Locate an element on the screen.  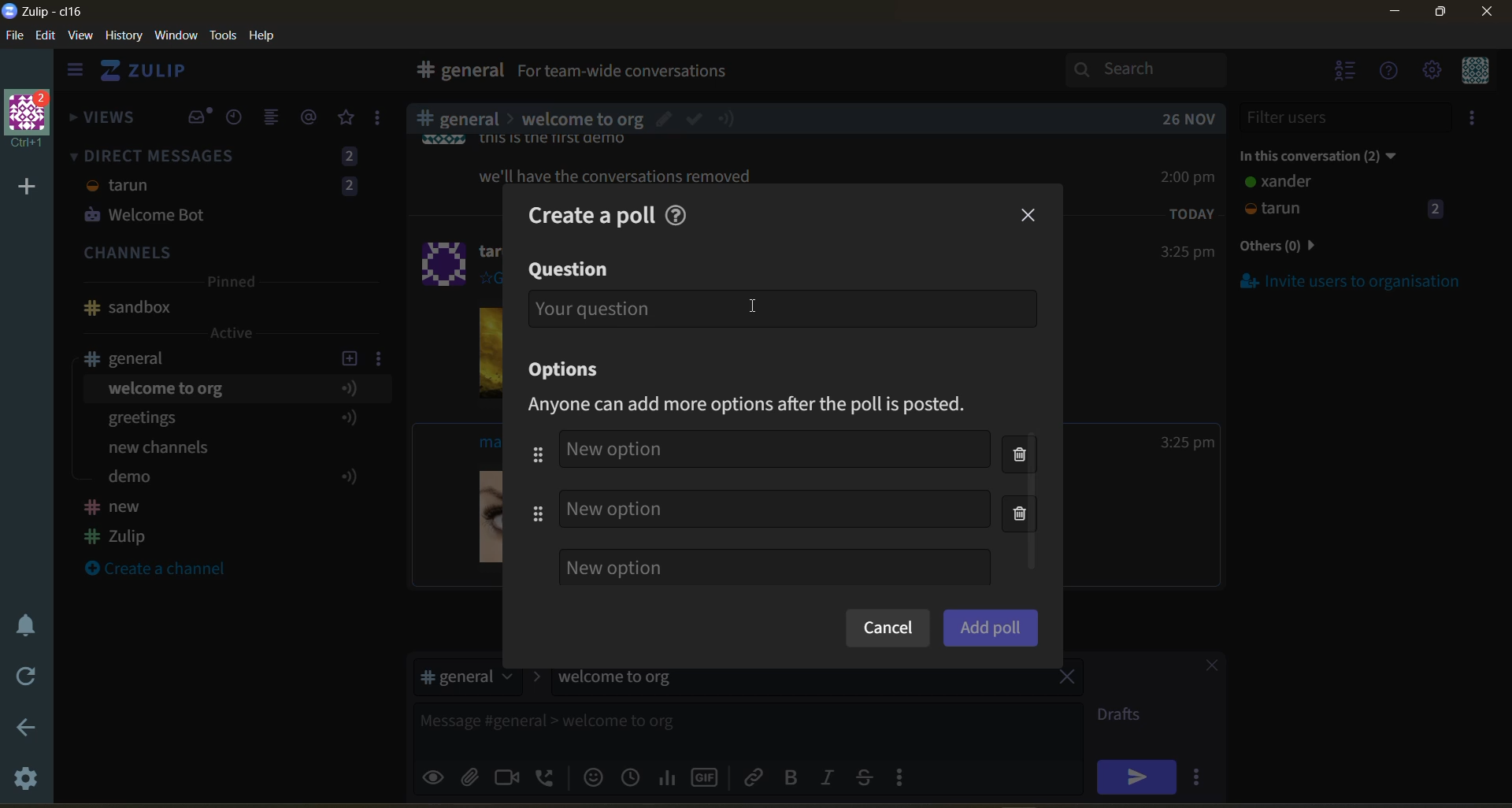
strikethrough is located at coordinates (869, 776).